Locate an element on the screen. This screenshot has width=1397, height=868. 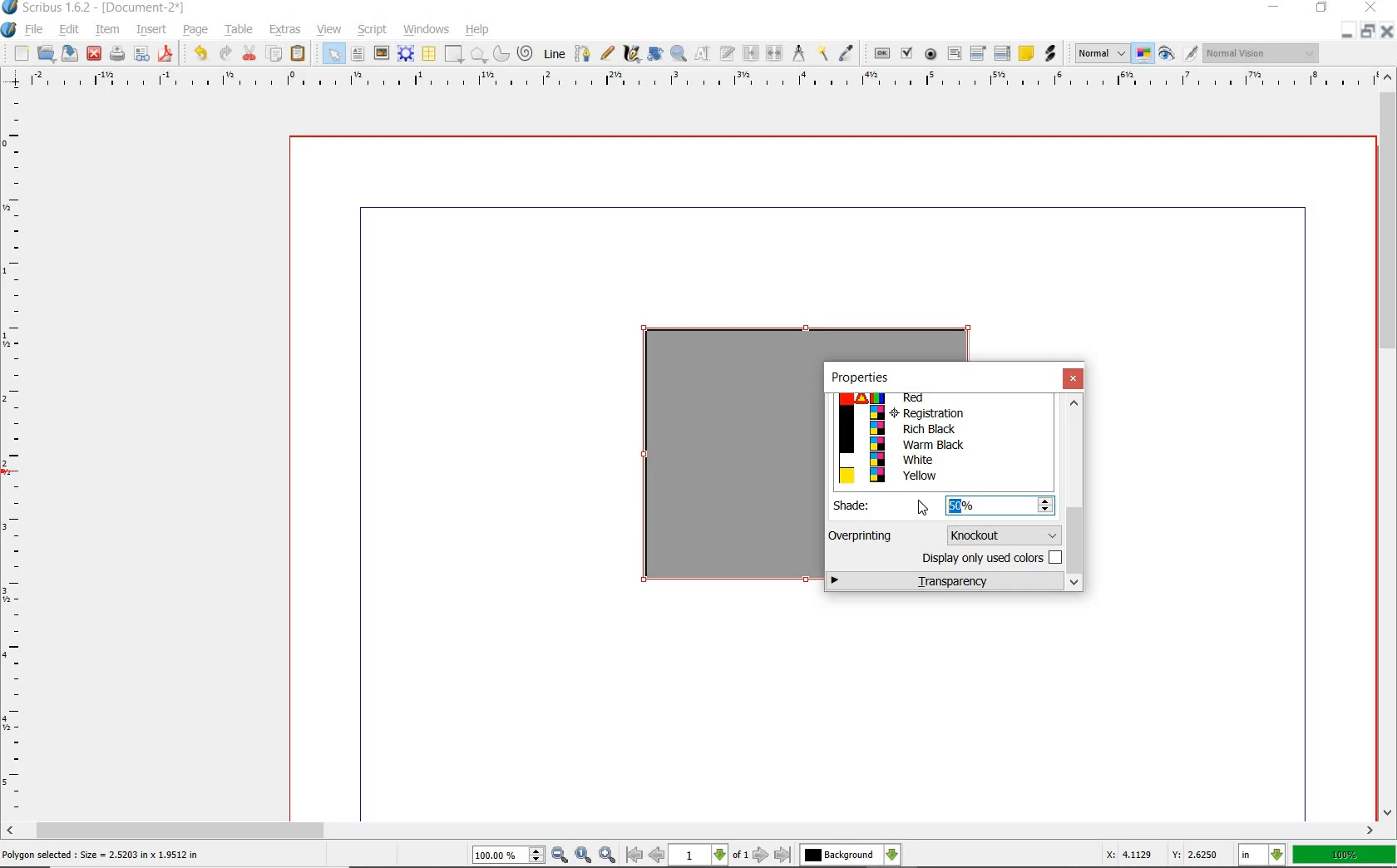
paste is located at coordinates (299, 55).